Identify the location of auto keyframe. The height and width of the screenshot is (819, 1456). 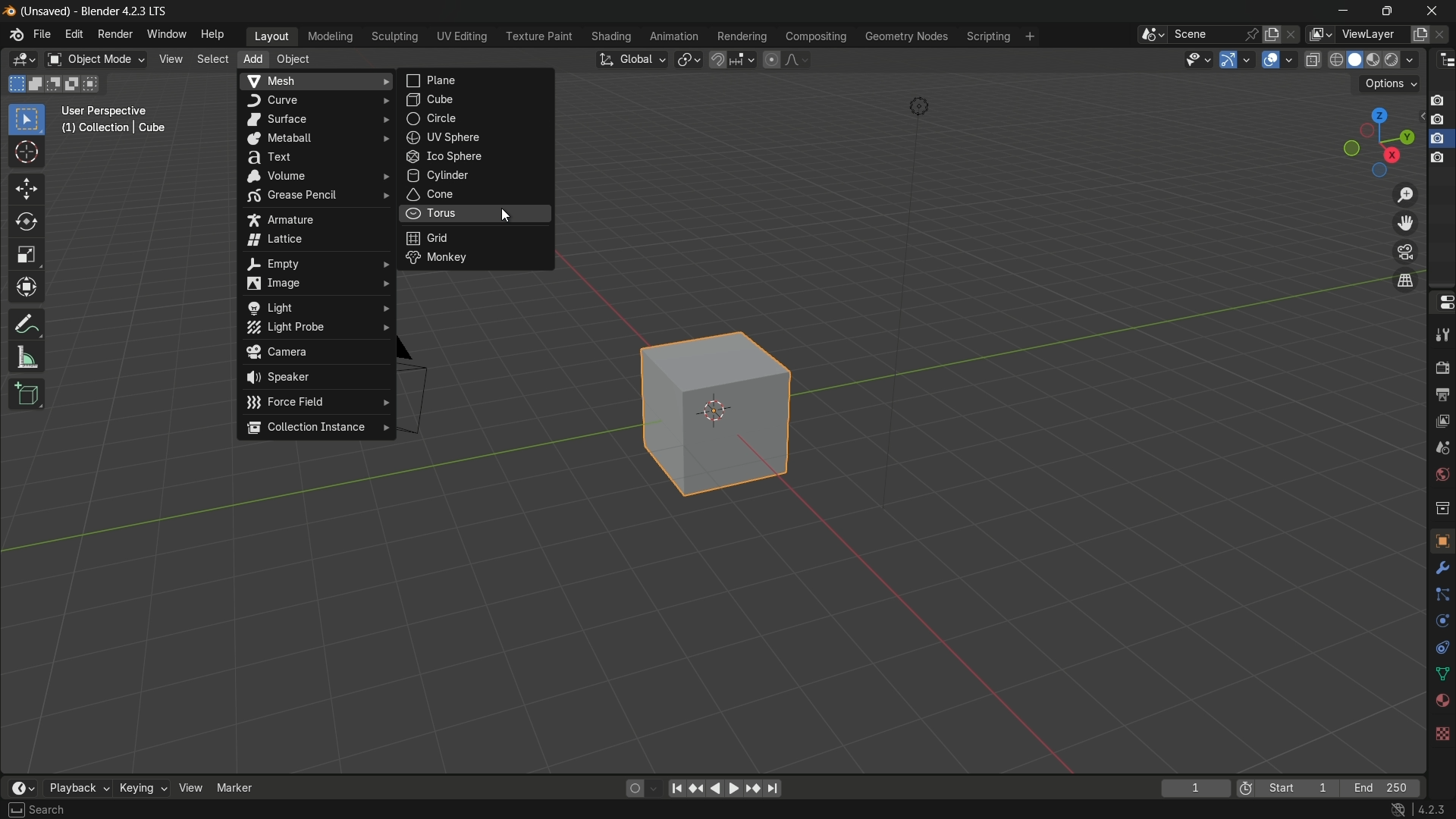
(653, 789).